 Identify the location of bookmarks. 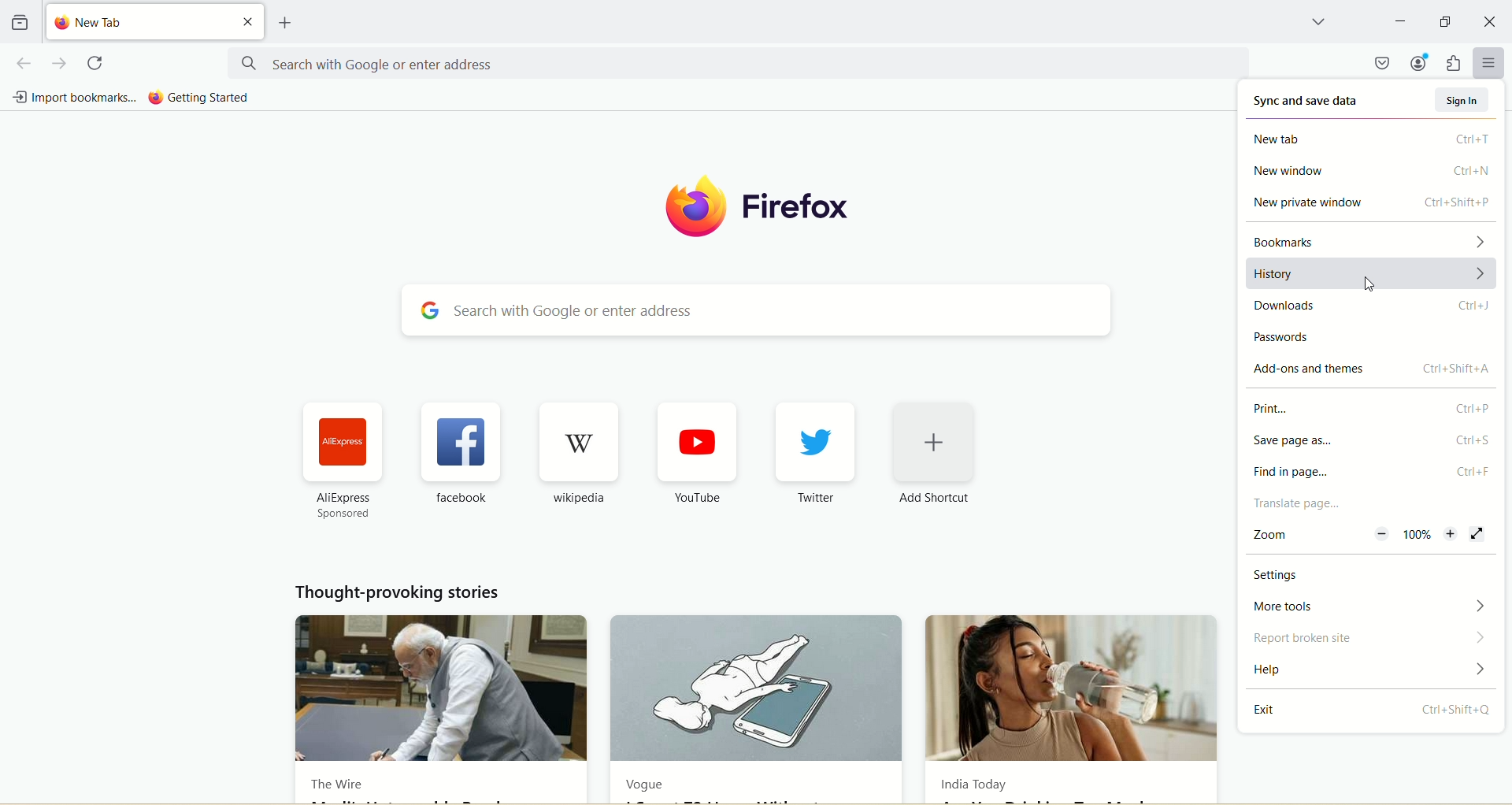
(1373, 239).